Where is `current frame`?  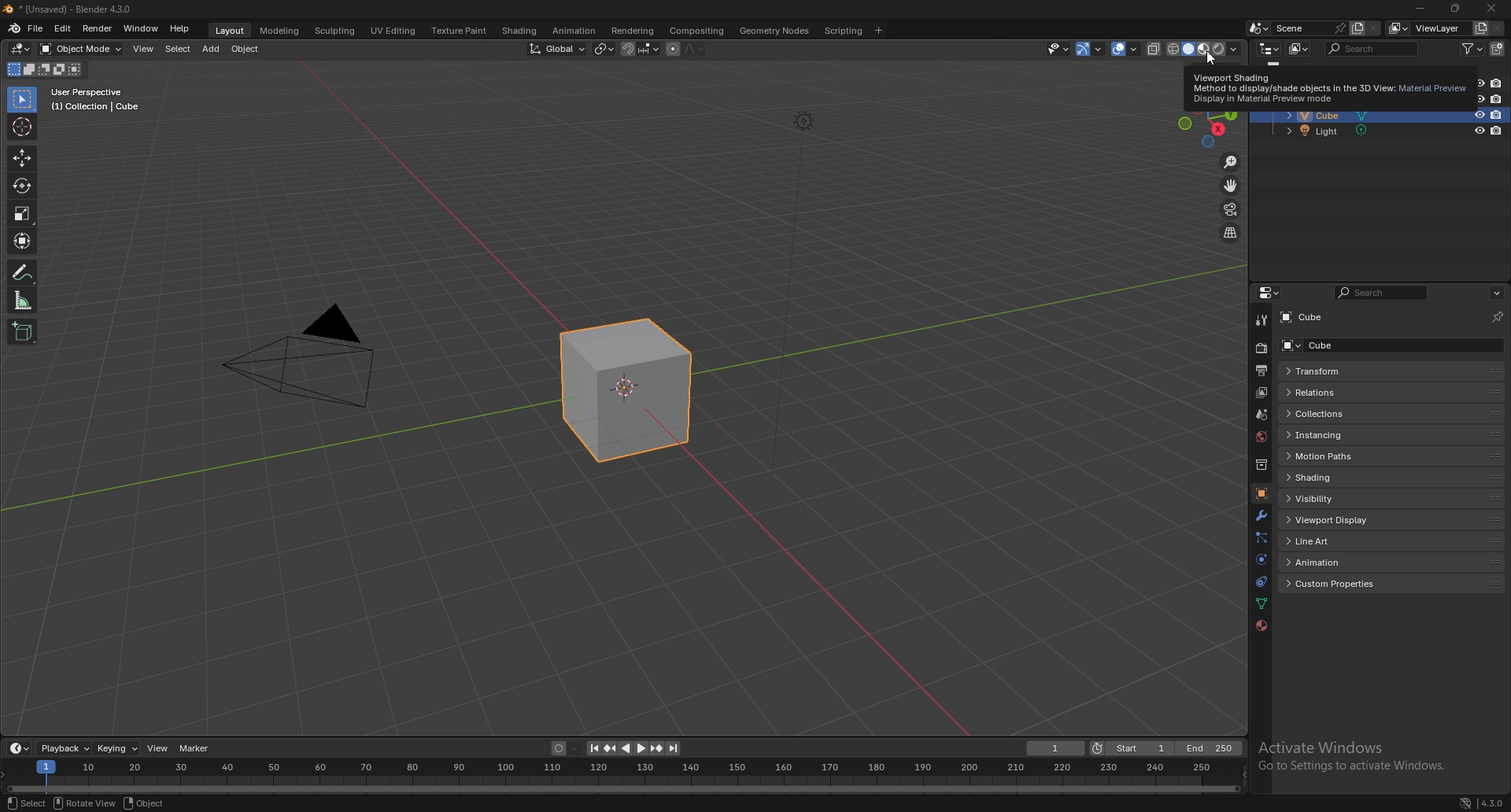
current frame is located at coordinates (1057, 748).